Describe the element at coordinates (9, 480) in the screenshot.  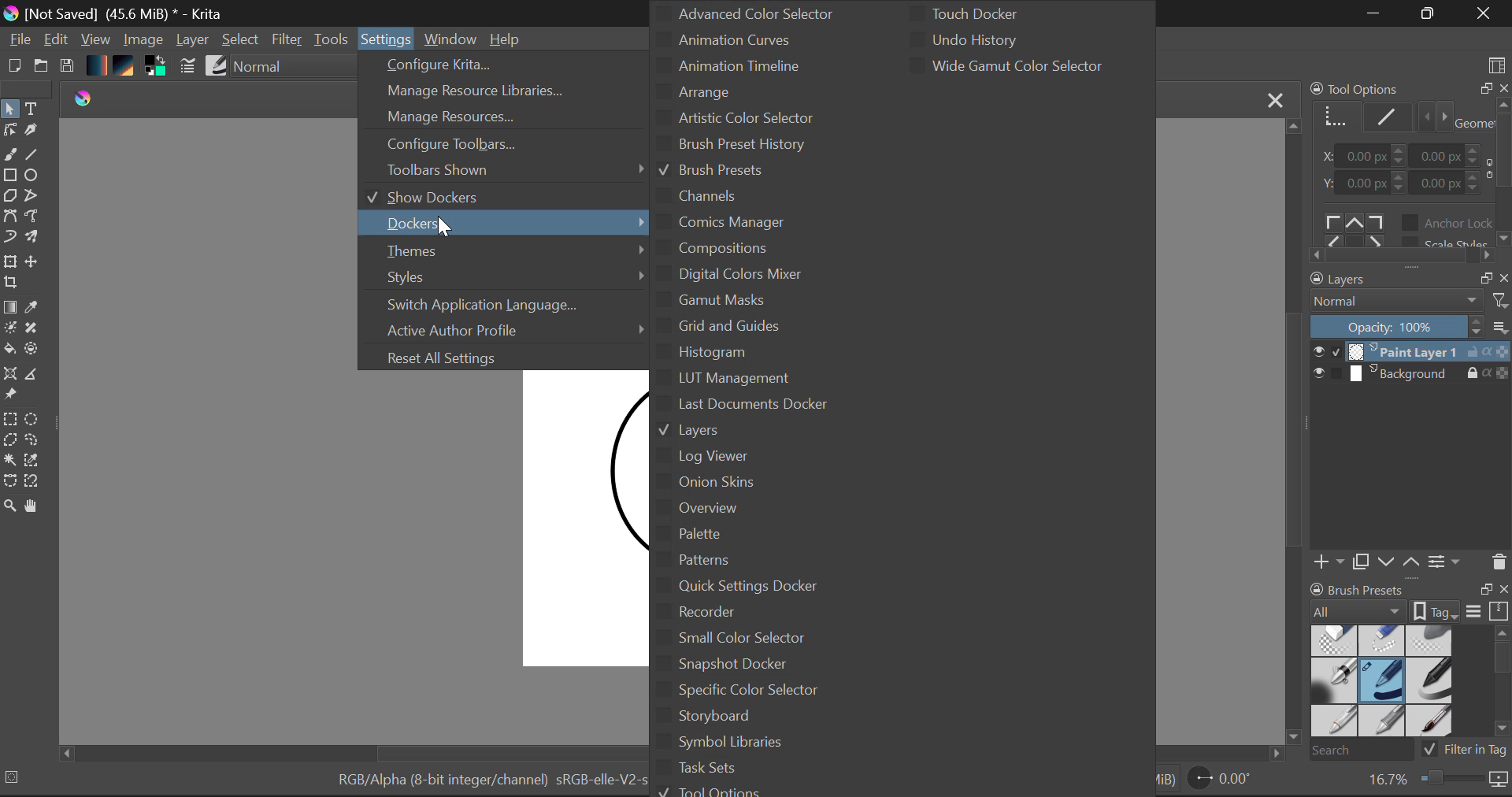
I see `Bezier Curve Selection` at that location.